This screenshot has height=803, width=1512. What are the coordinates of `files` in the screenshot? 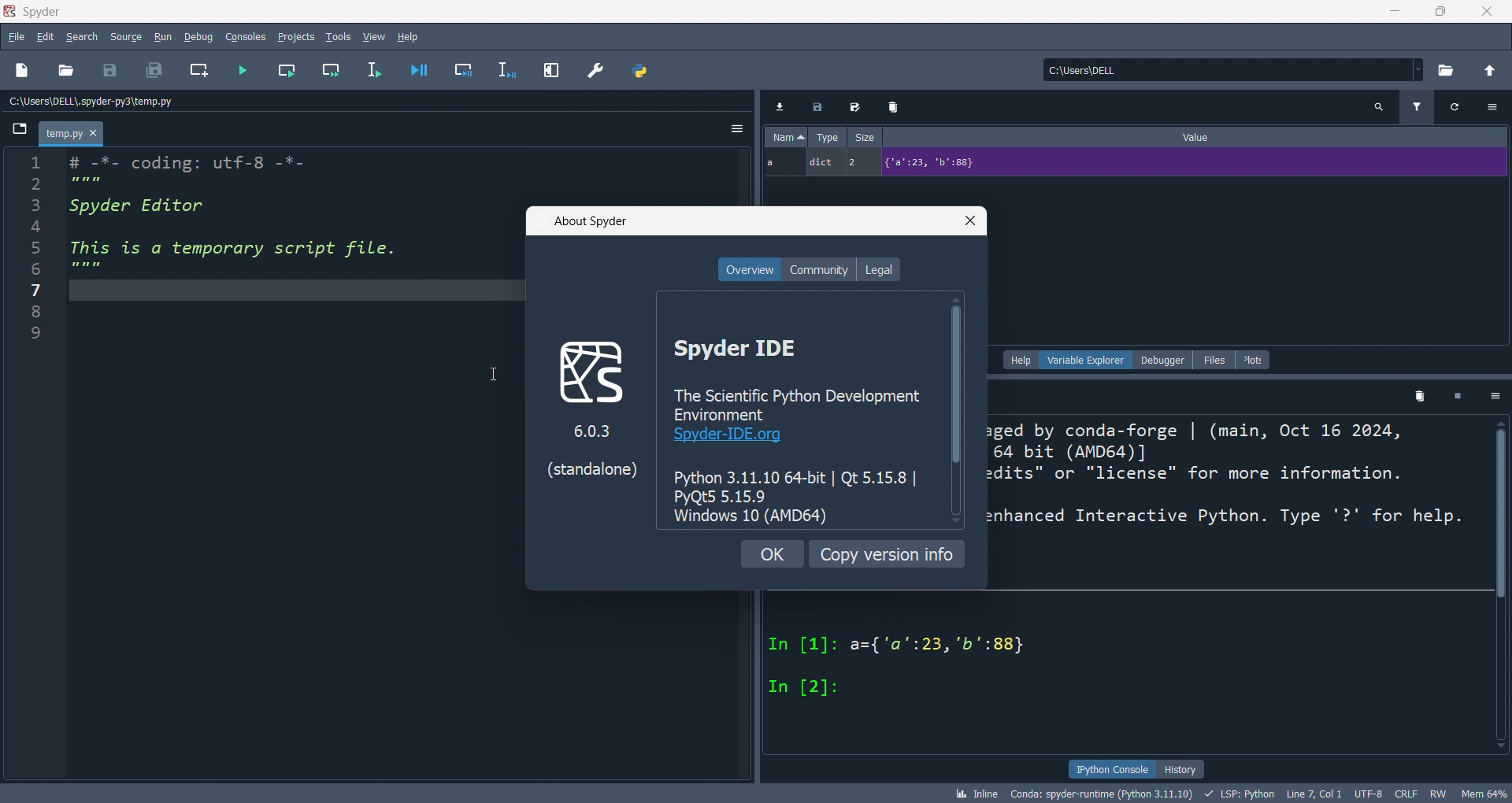 It's located at (1214, 360).